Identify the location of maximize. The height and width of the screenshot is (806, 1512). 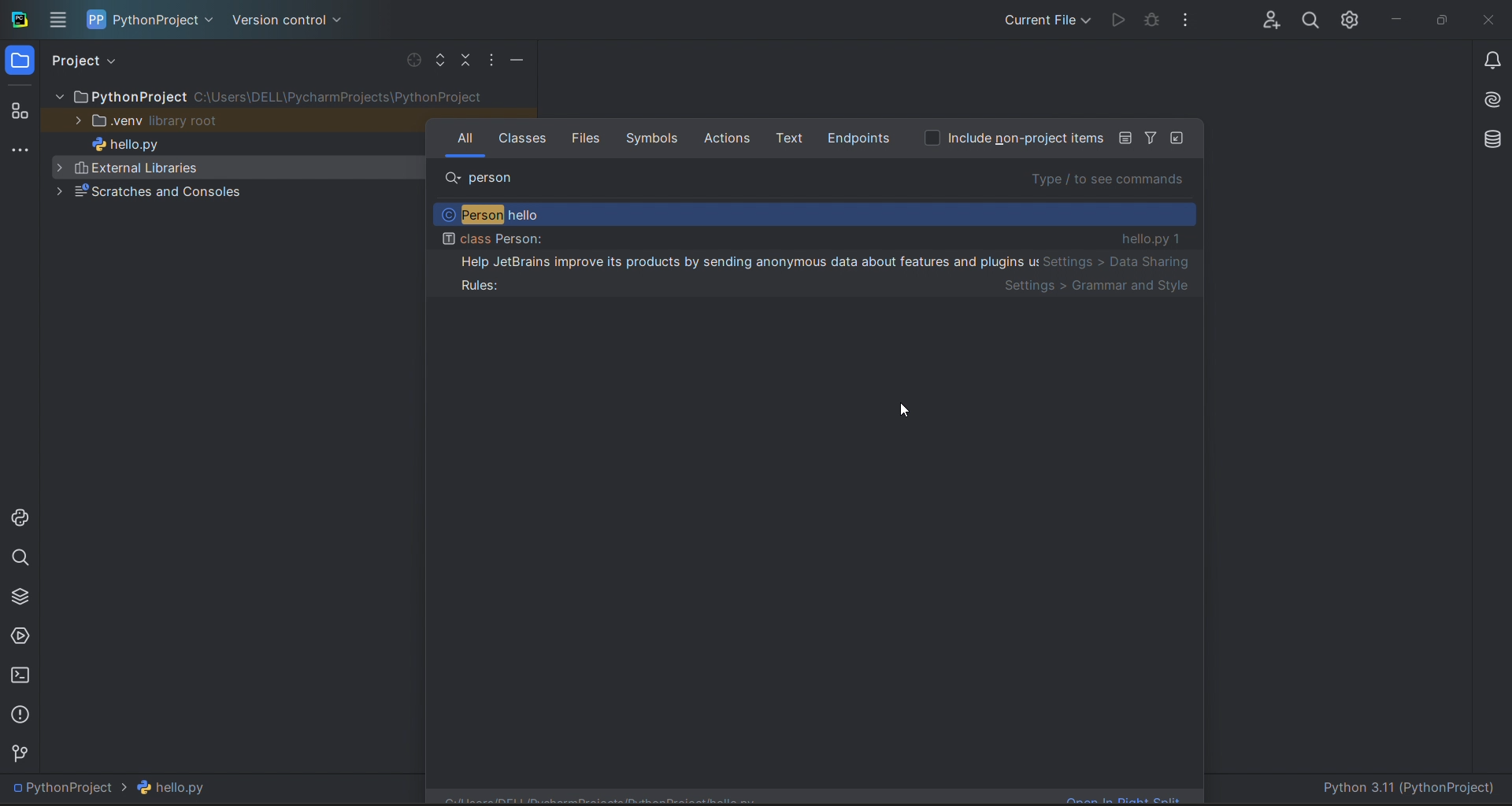
(1441, 17).